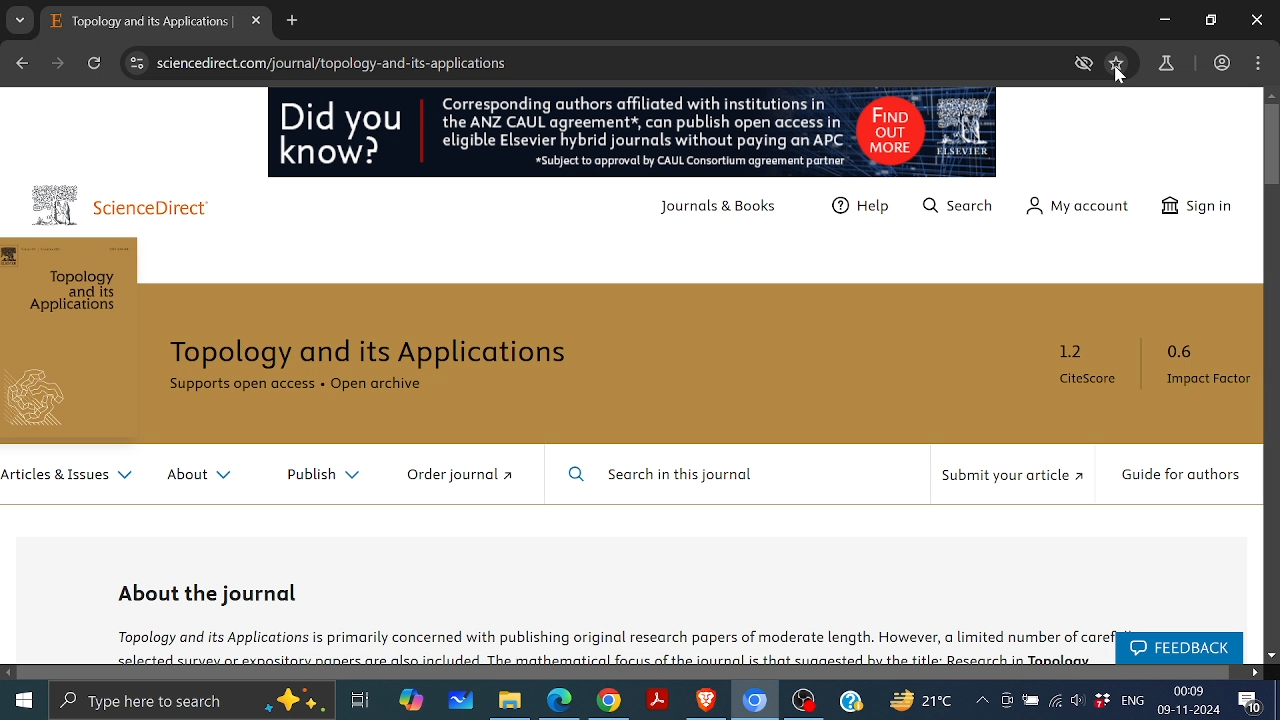 Image resolution: width=1280 pixels, height=720 pixels. Describe the element at coordinates (1455, 780) in the screenshot. I see `` at that location.